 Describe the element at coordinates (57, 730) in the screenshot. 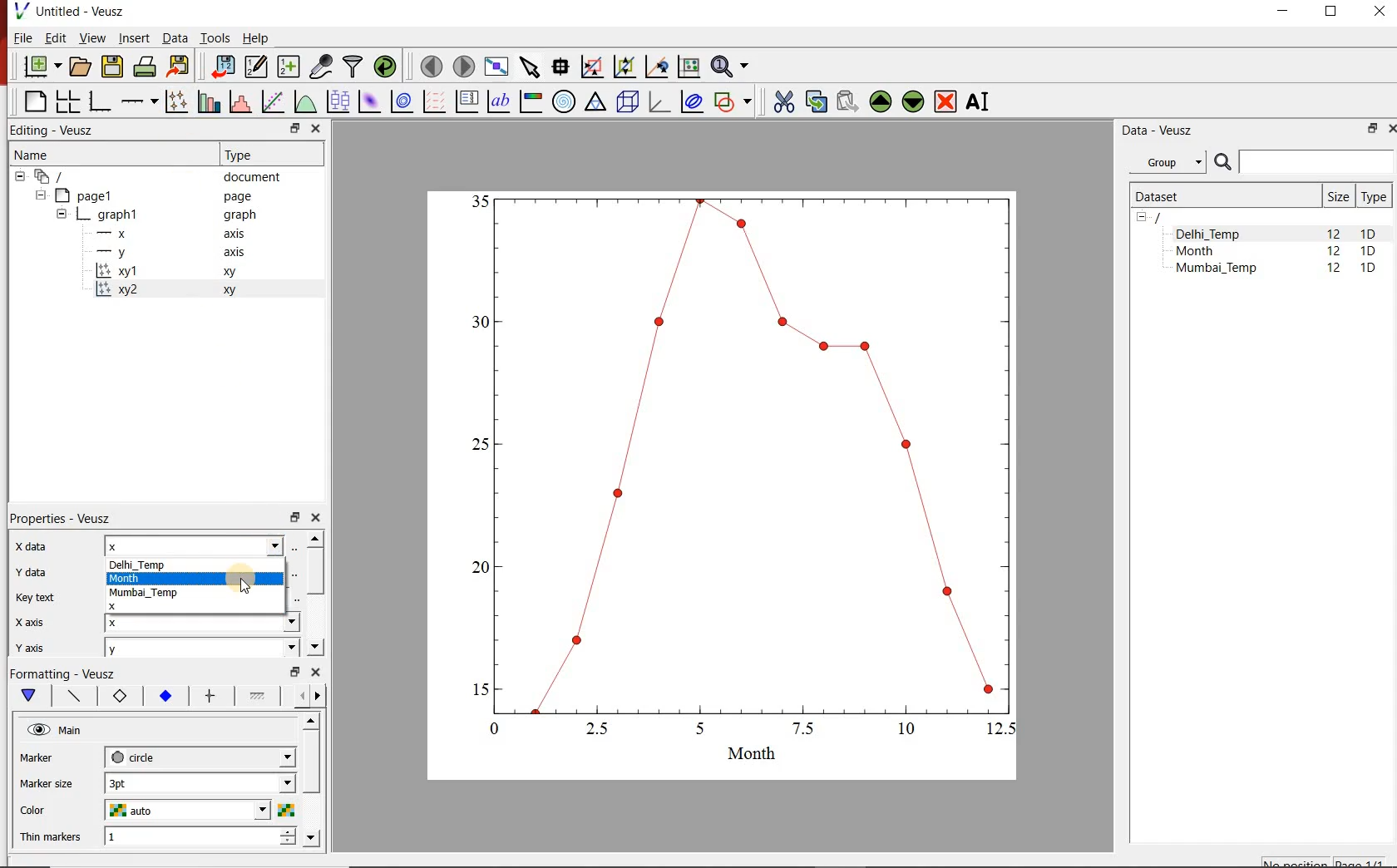

I see `Main` at that location.